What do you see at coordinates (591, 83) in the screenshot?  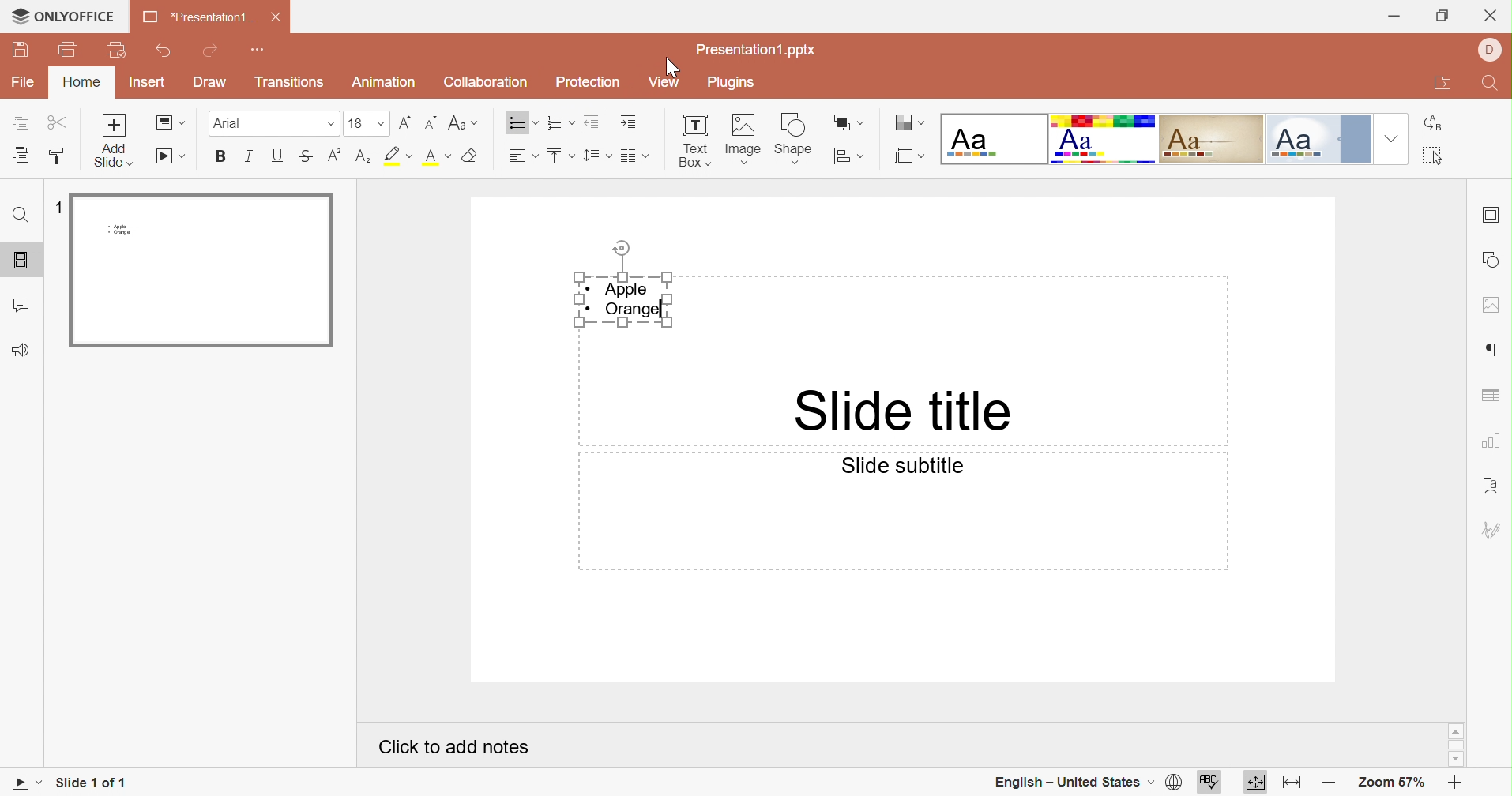 I see `Protection` at bounding box center [591, 83].